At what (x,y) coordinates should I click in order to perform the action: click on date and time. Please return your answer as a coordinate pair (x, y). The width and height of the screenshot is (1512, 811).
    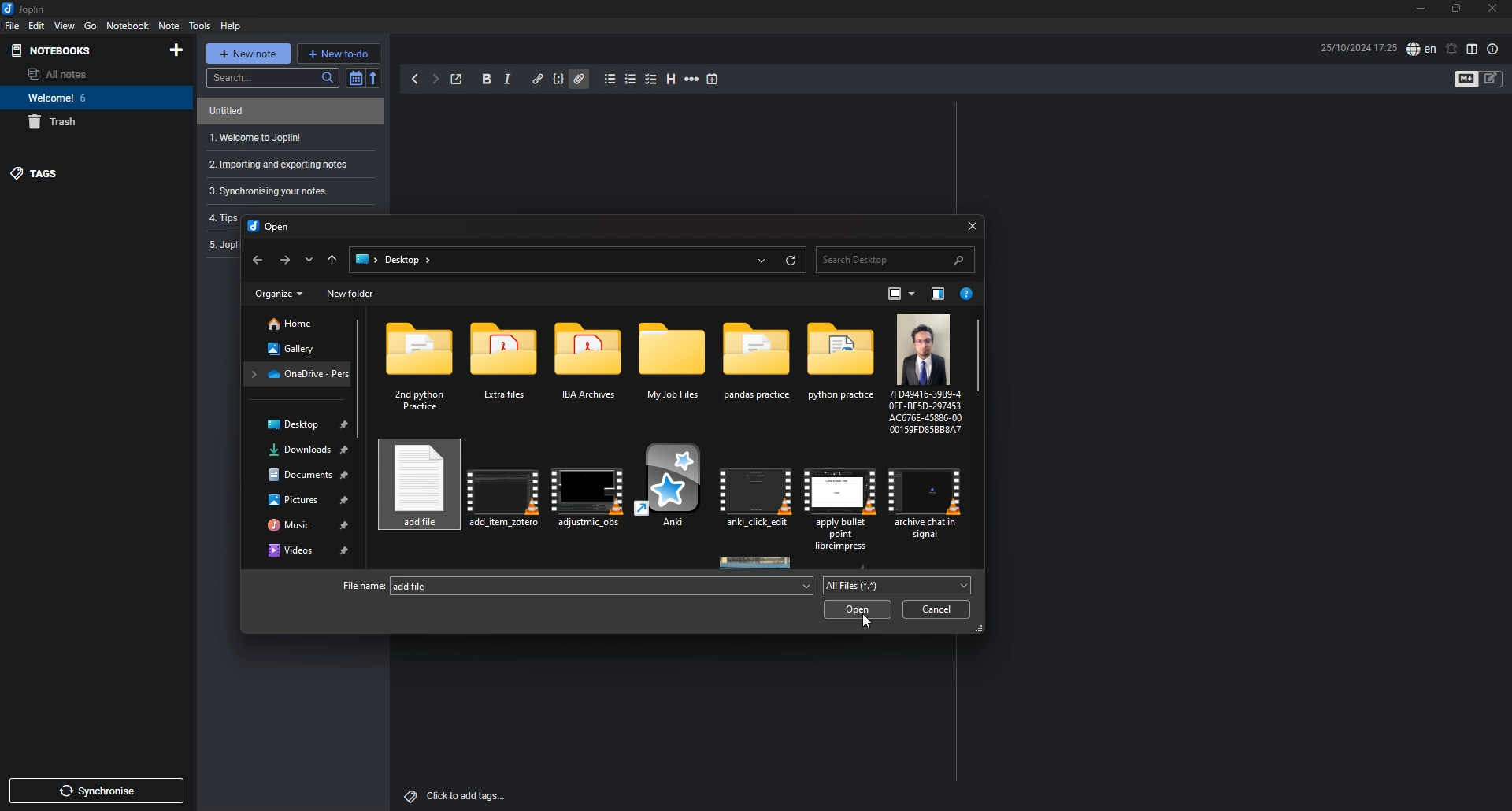
    Looking at the image, I should click on (1358, 47).